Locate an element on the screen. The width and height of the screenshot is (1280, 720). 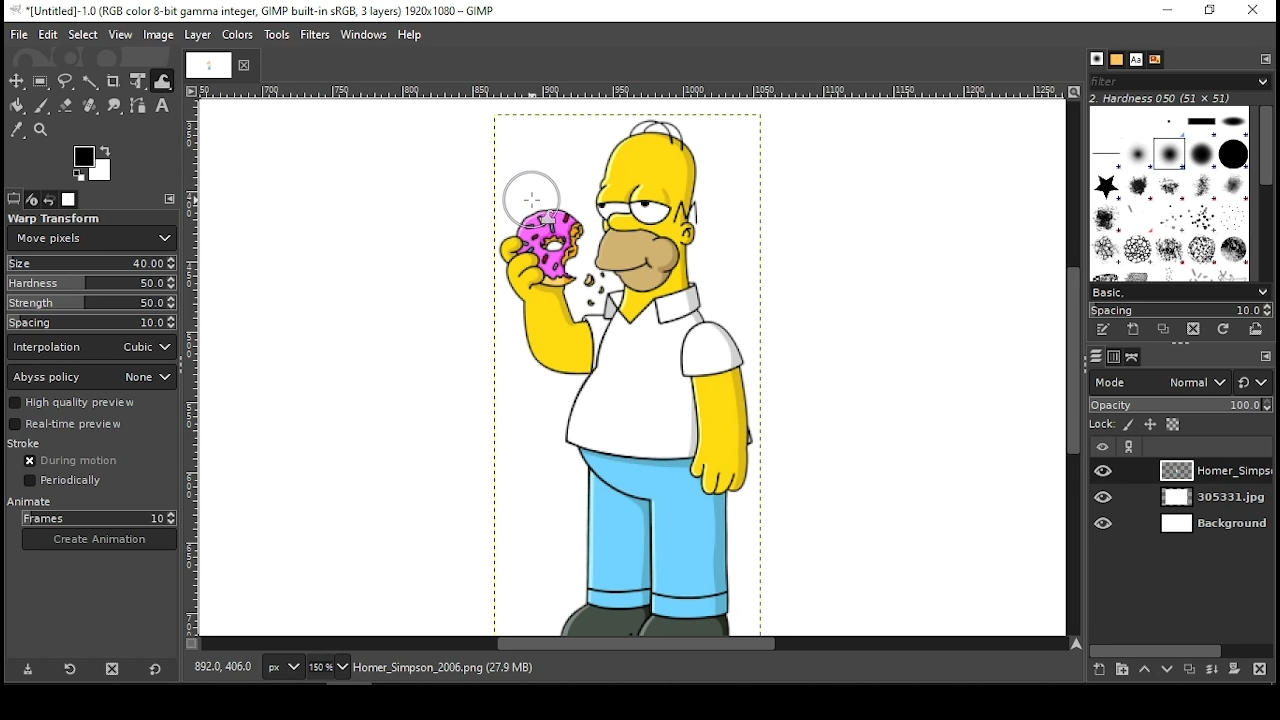
vertical scale is located at coordinates (639, 90).